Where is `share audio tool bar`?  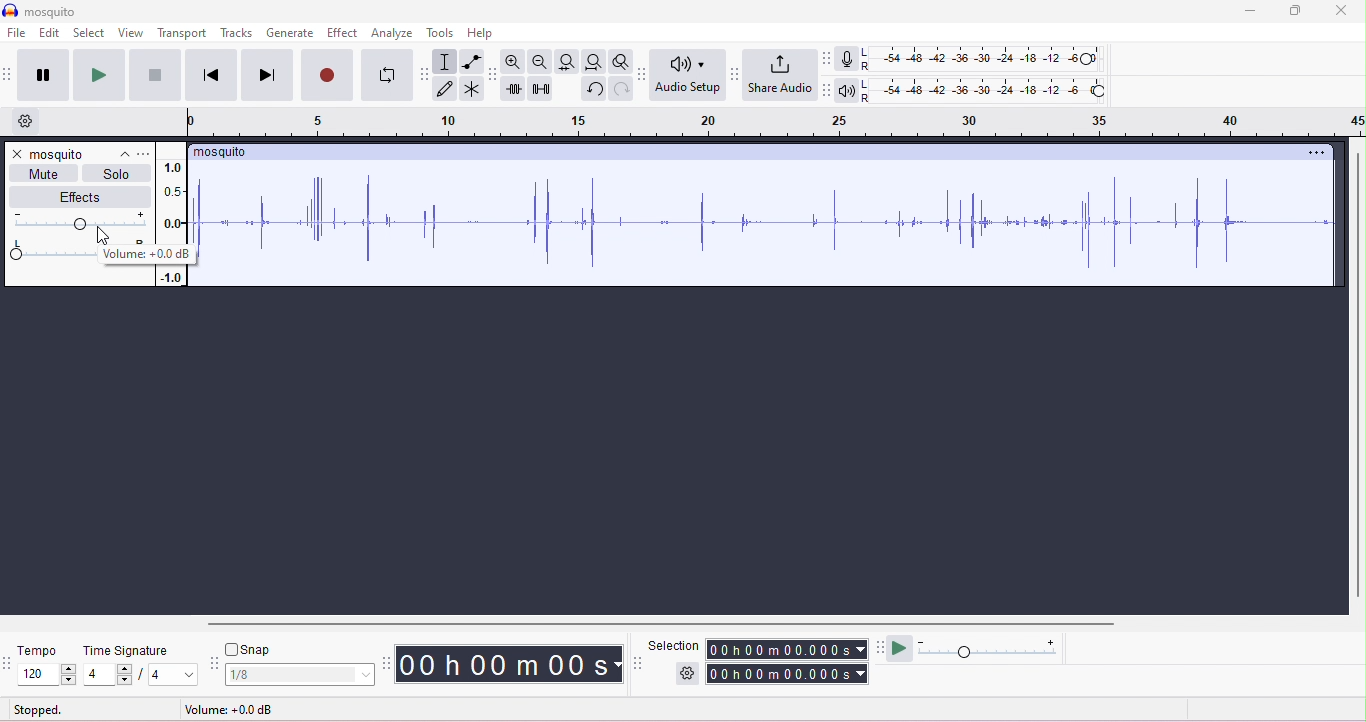 share audio tool bar is located at coordinates (734, 74).